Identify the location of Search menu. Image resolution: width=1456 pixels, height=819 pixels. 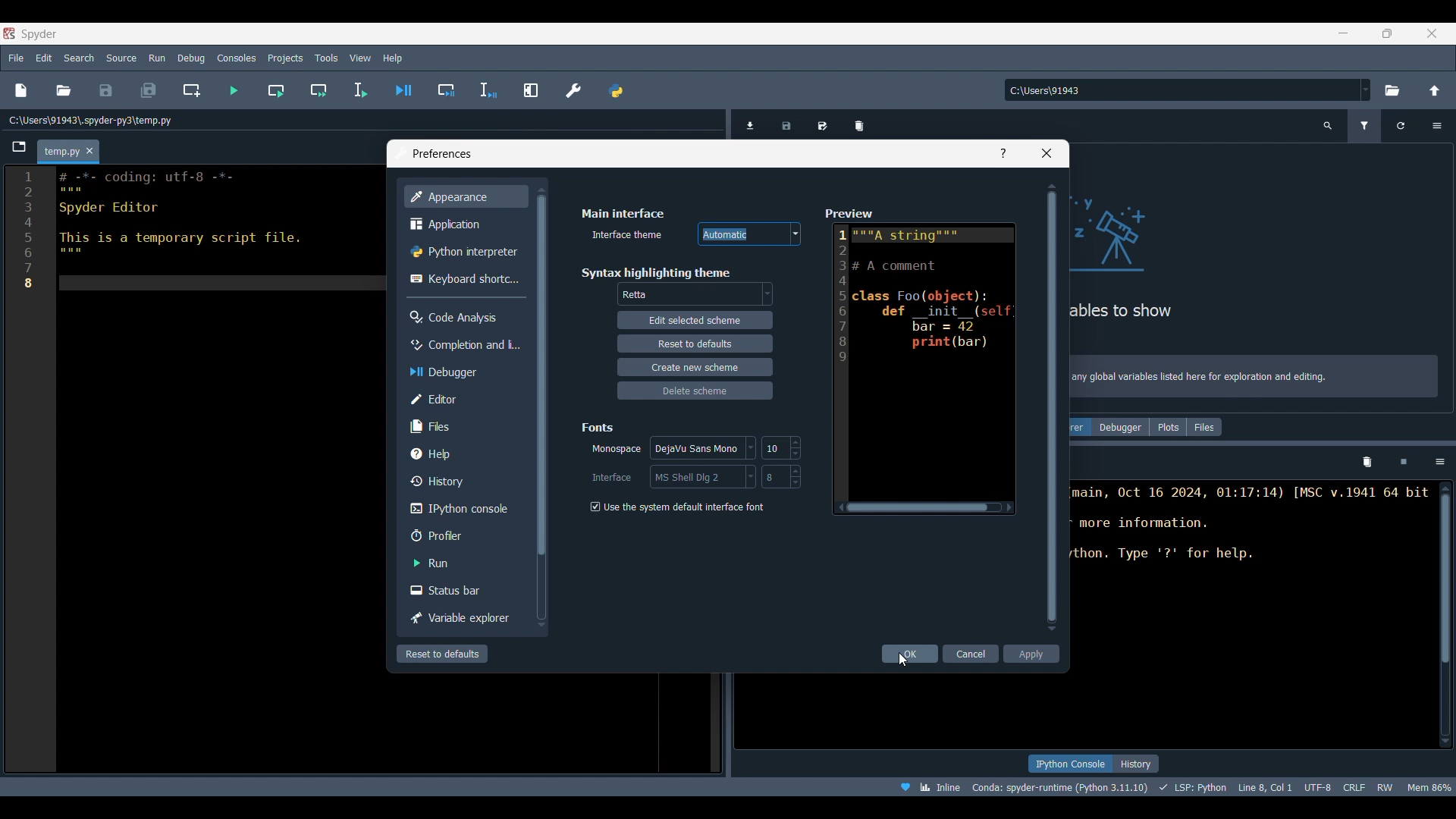
(80, 58).